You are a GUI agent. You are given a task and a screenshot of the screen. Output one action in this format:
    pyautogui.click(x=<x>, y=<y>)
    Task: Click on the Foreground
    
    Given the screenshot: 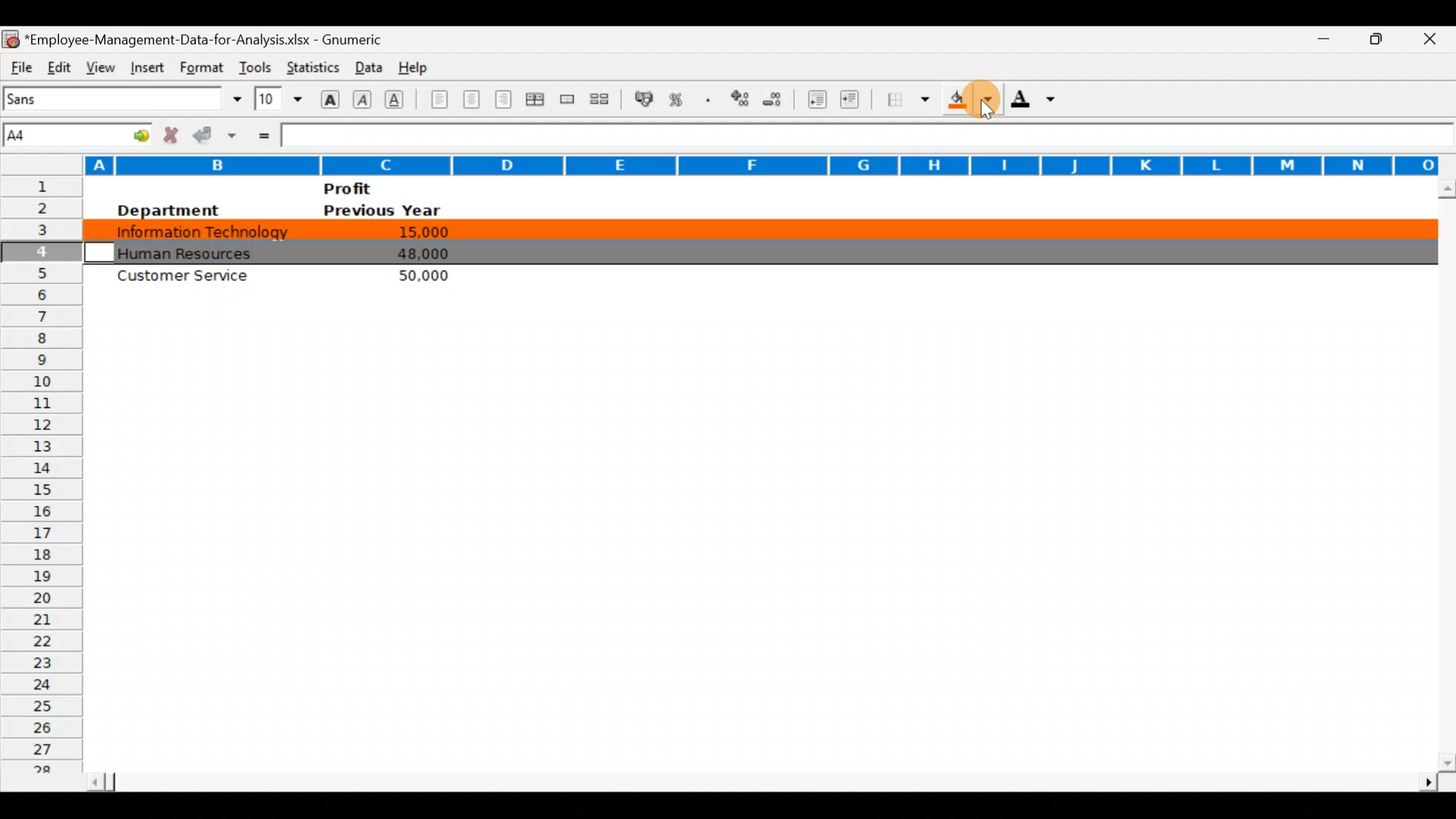 What is the action you would take?
    pyautogui.click(x=1038, y=104)
    